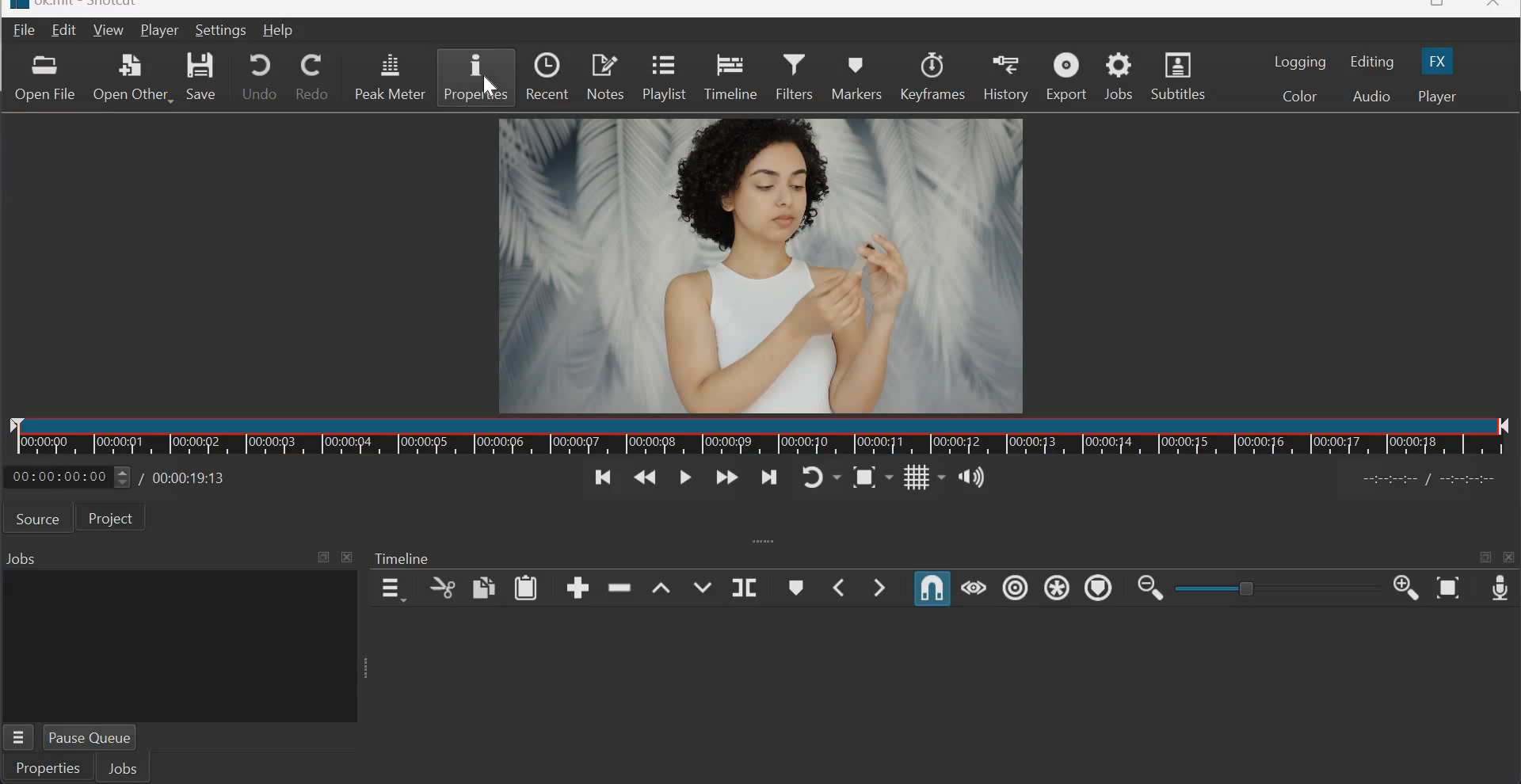 The height and width of the screenshot is (784, 1521). I want to click on Zoom Timeline in, so click(1406, 589).